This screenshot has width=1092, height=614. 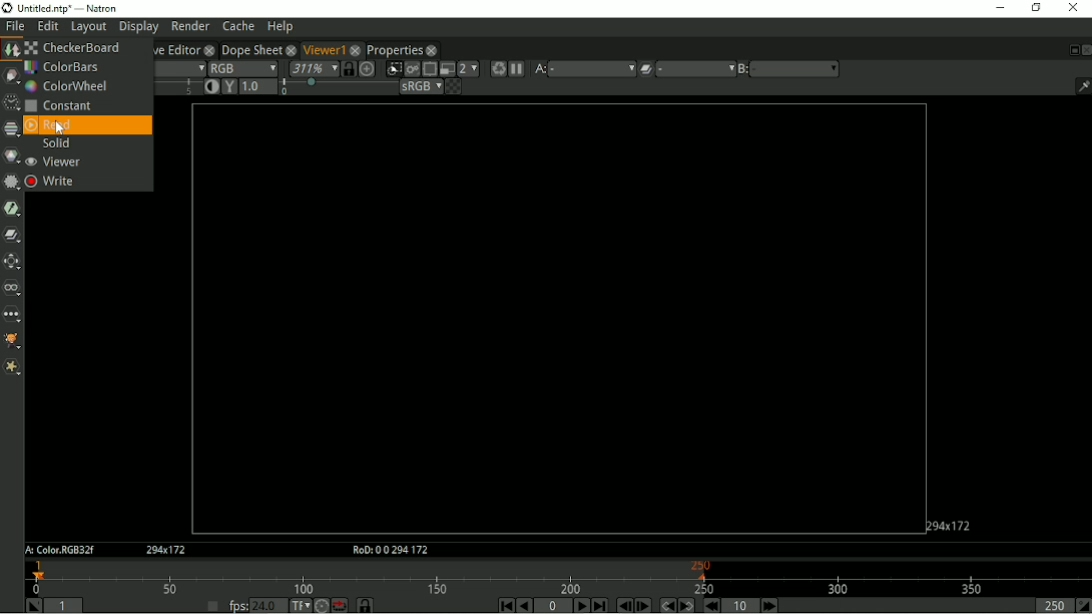 What do you see at coordinates (53, 181) in the screenshot?
I see `Write` at bounding box center [53, 181].